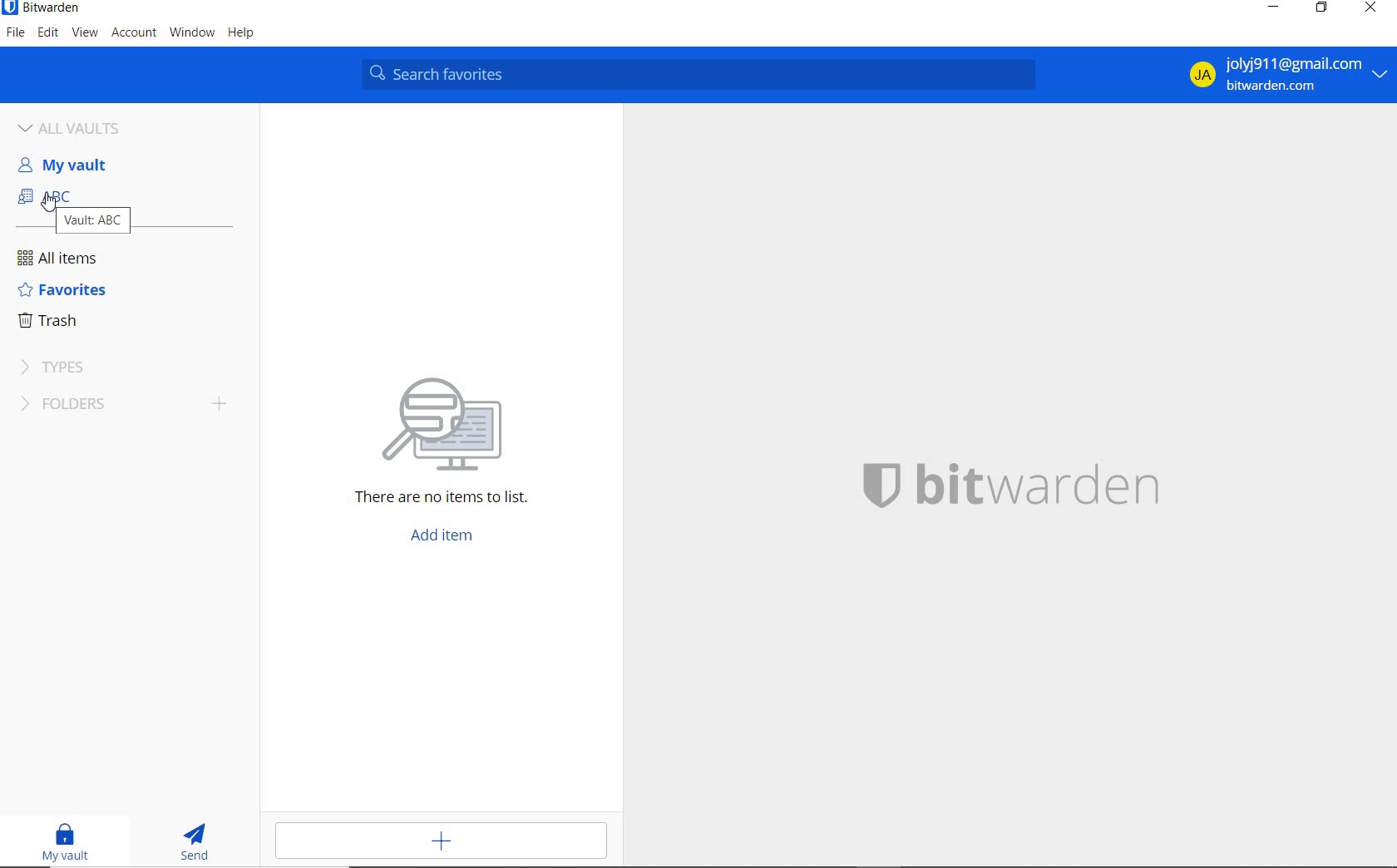  I want to click on SEARCH FAVORITES, so click(702, 74).